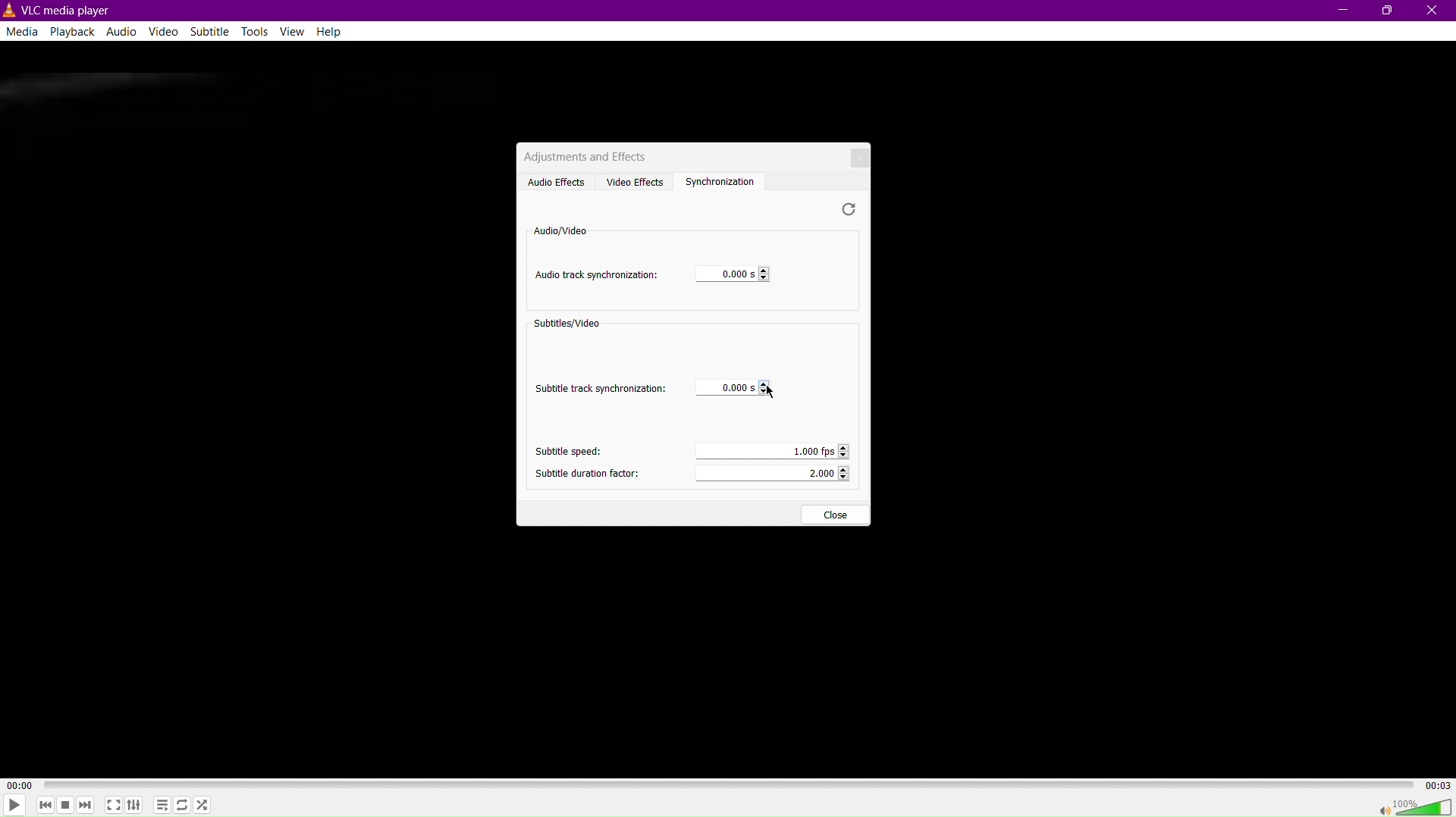 This screenshot has width=1456, height=817. Describe the element at coordinates (602, 387) in the screenshot. I see `Subtitle track synchronization` at that location.